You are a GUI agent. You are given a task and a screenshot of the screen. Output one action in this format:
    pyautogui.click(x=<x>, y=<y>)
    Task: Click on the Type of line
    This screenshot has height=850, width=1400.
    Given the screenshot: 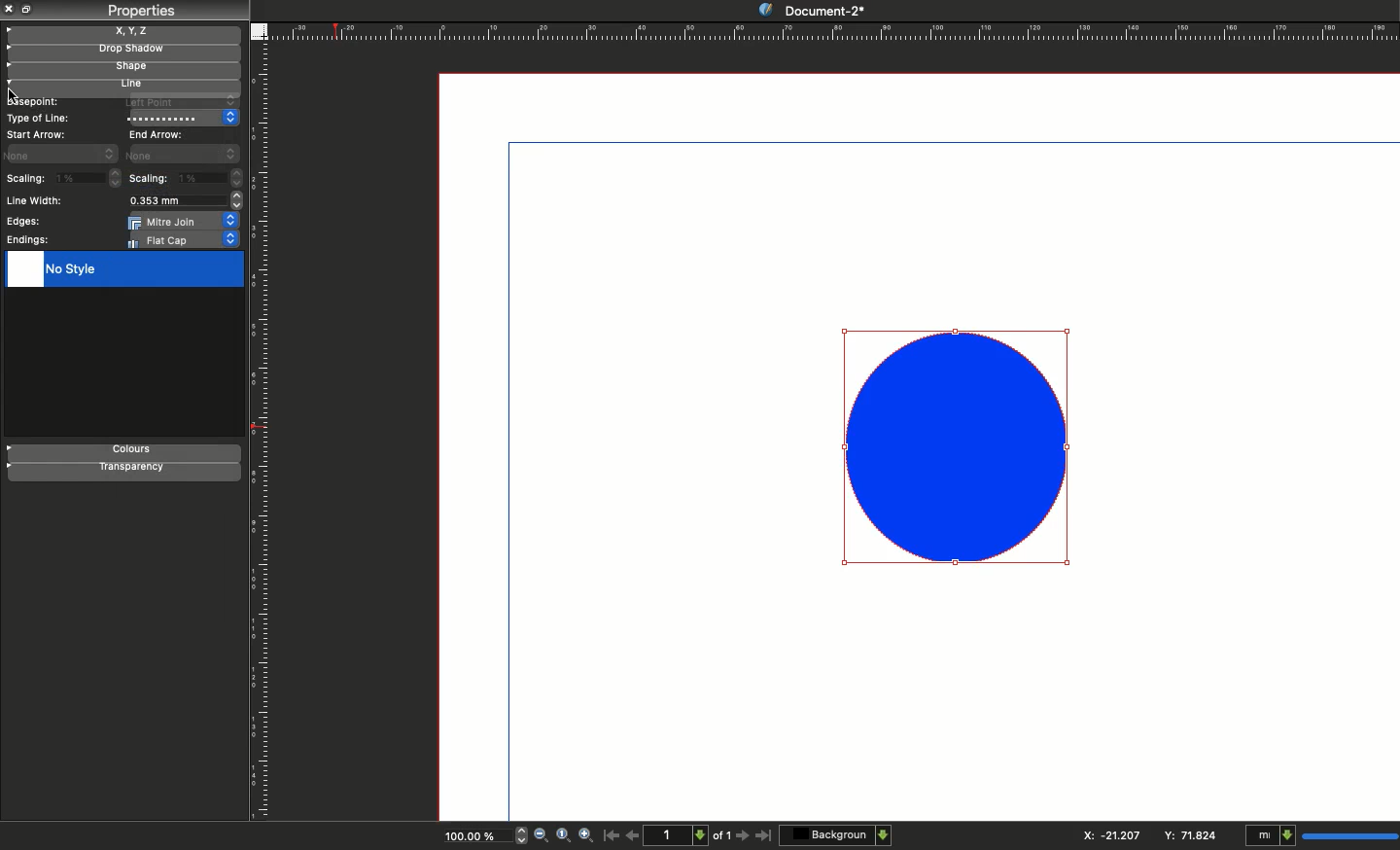 What is the action you would take?
    pyautogui.click(x=40, y=118)
    